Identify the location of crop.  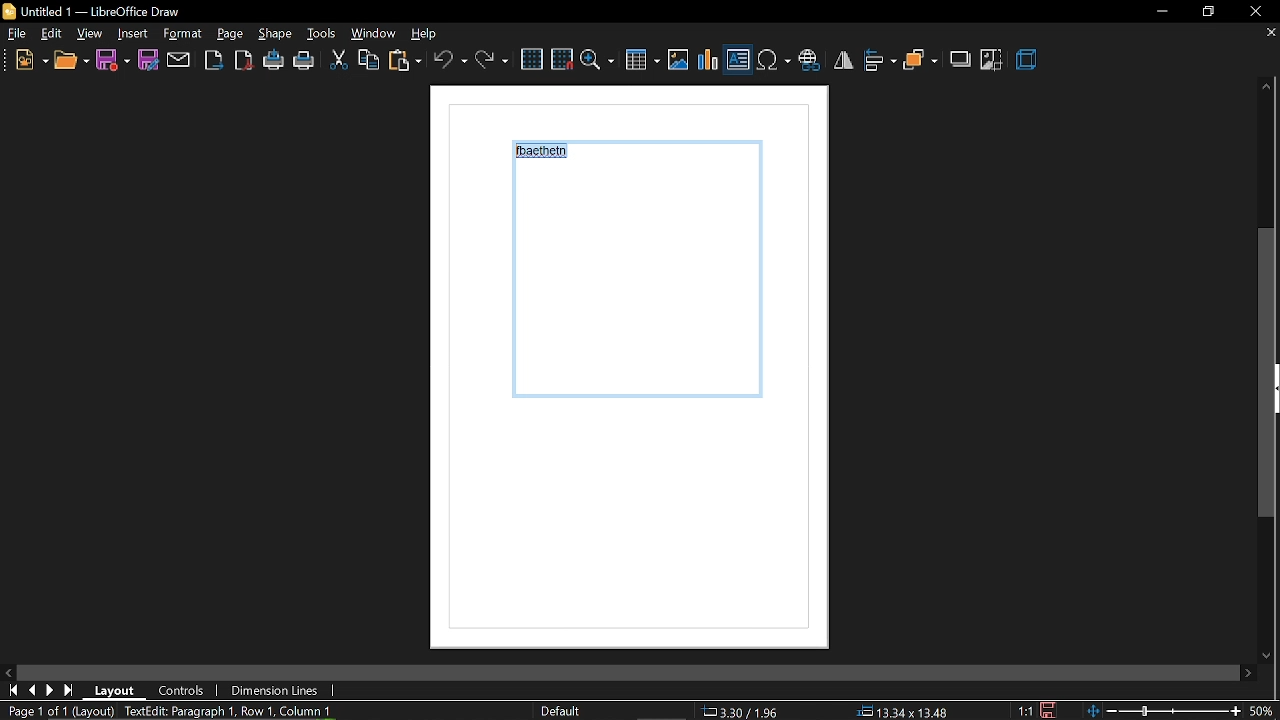
(993, 62).